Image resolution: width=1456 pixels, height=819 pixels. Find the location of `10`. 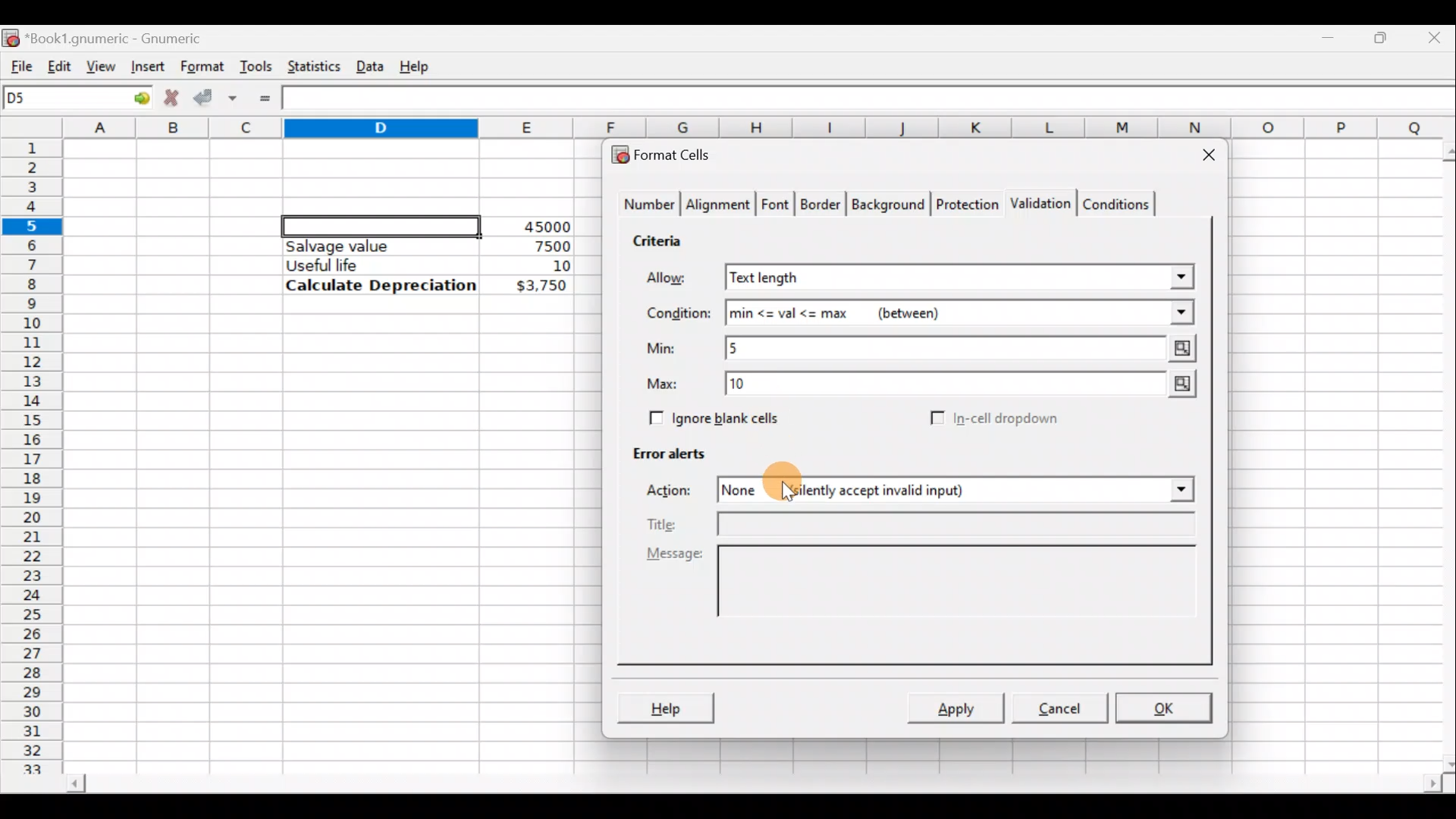

10 is located at coordinates (543, 266).